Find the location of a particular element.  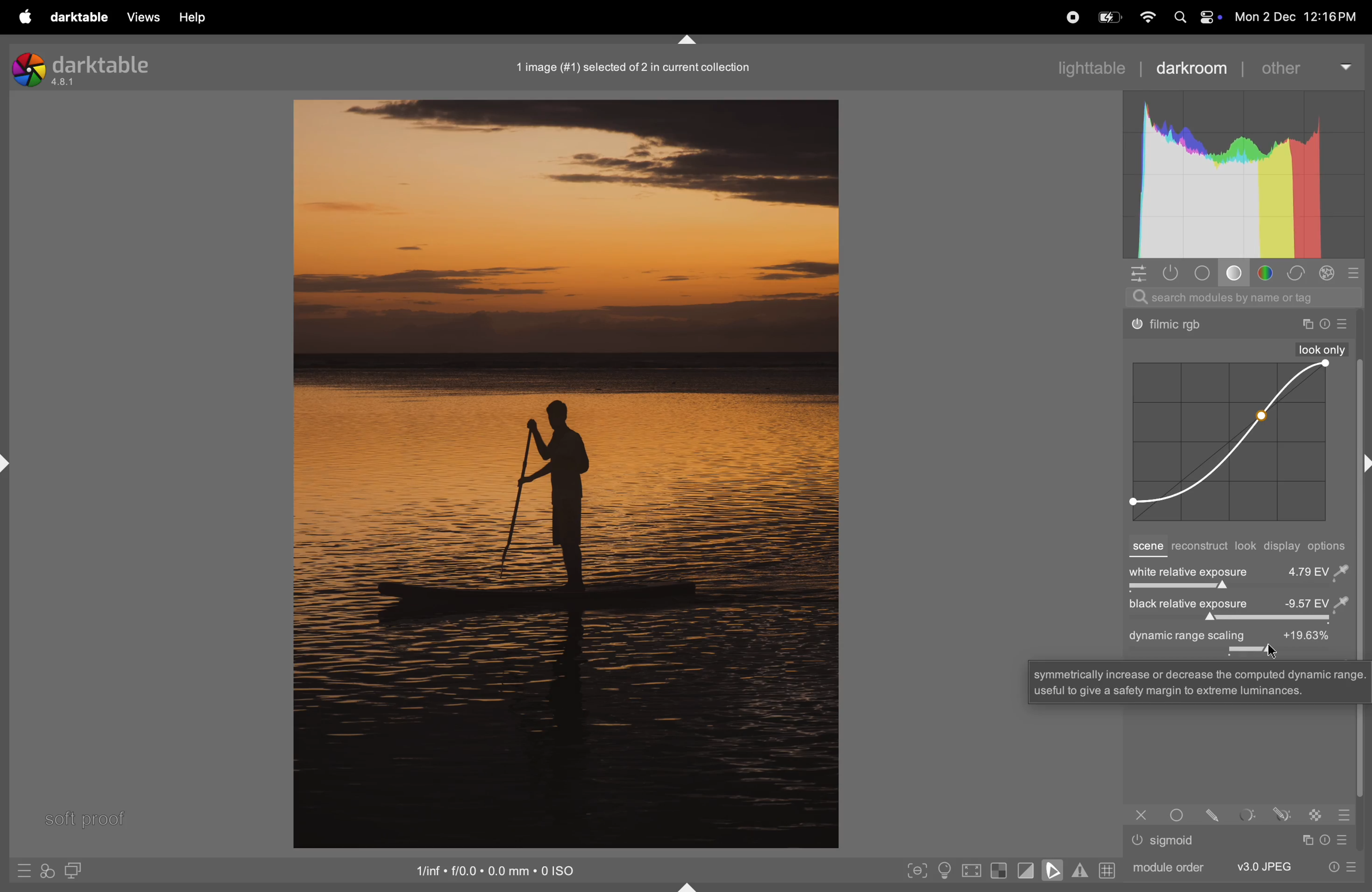

 is located at coordinates (1306, 840).